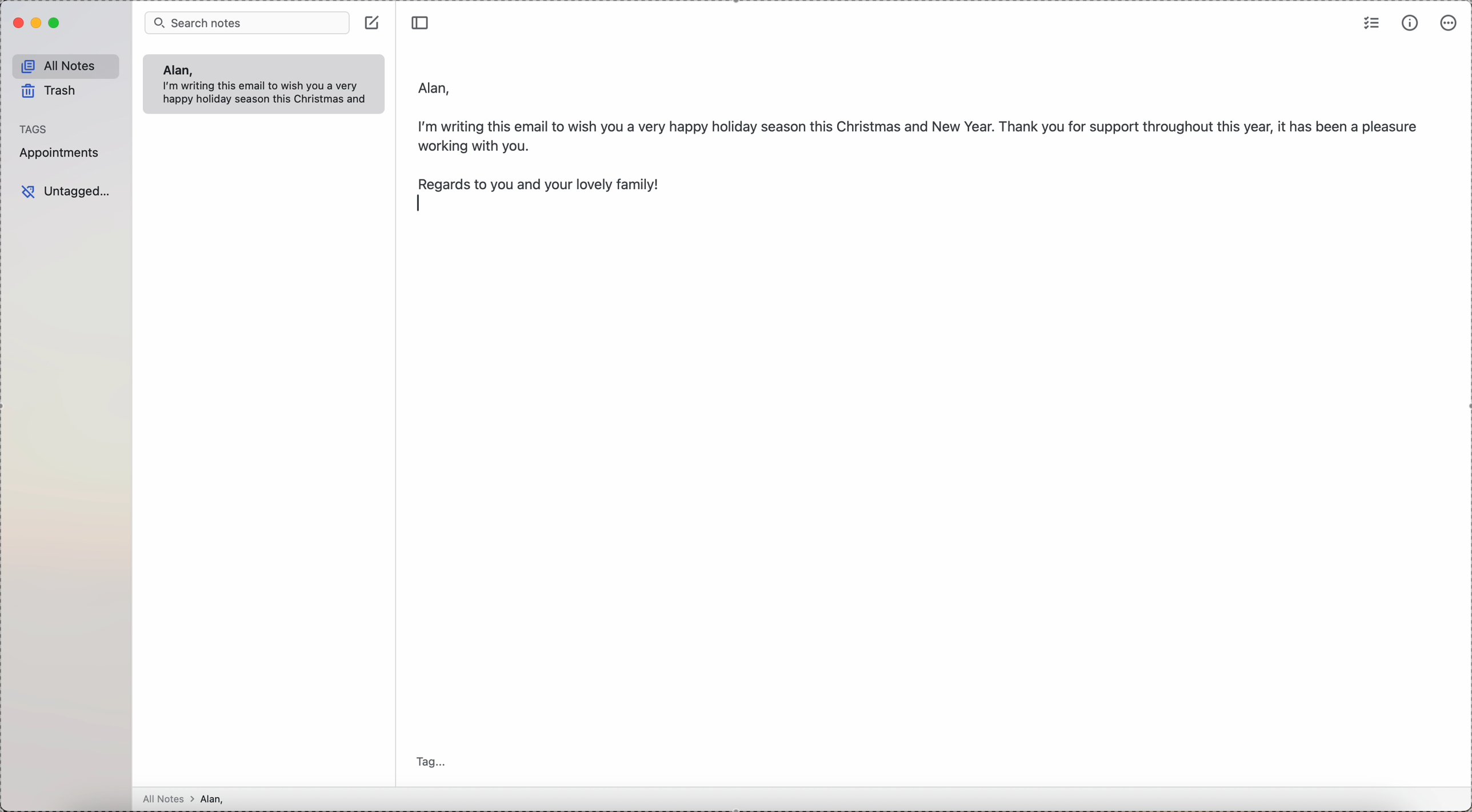  I want to click on body text: I'm writing this email to wish yo a very happy holiday season this Christmas and New Year. Thank you for support..., so click(920, 133).